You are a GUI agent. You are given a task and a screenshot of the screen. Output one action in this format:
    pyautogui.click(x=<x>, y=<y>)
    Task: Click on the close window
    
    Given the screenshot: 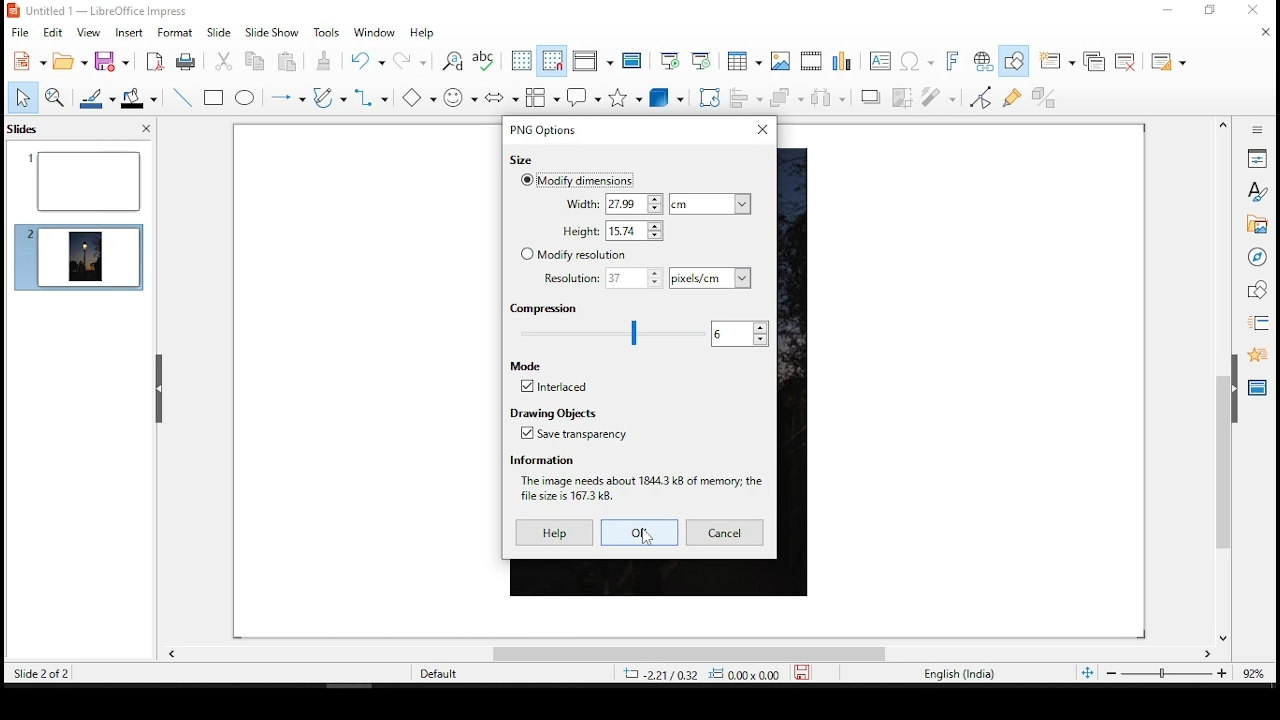 What is the action you would take?
    pyautogui.click(x=761, y=130)
    